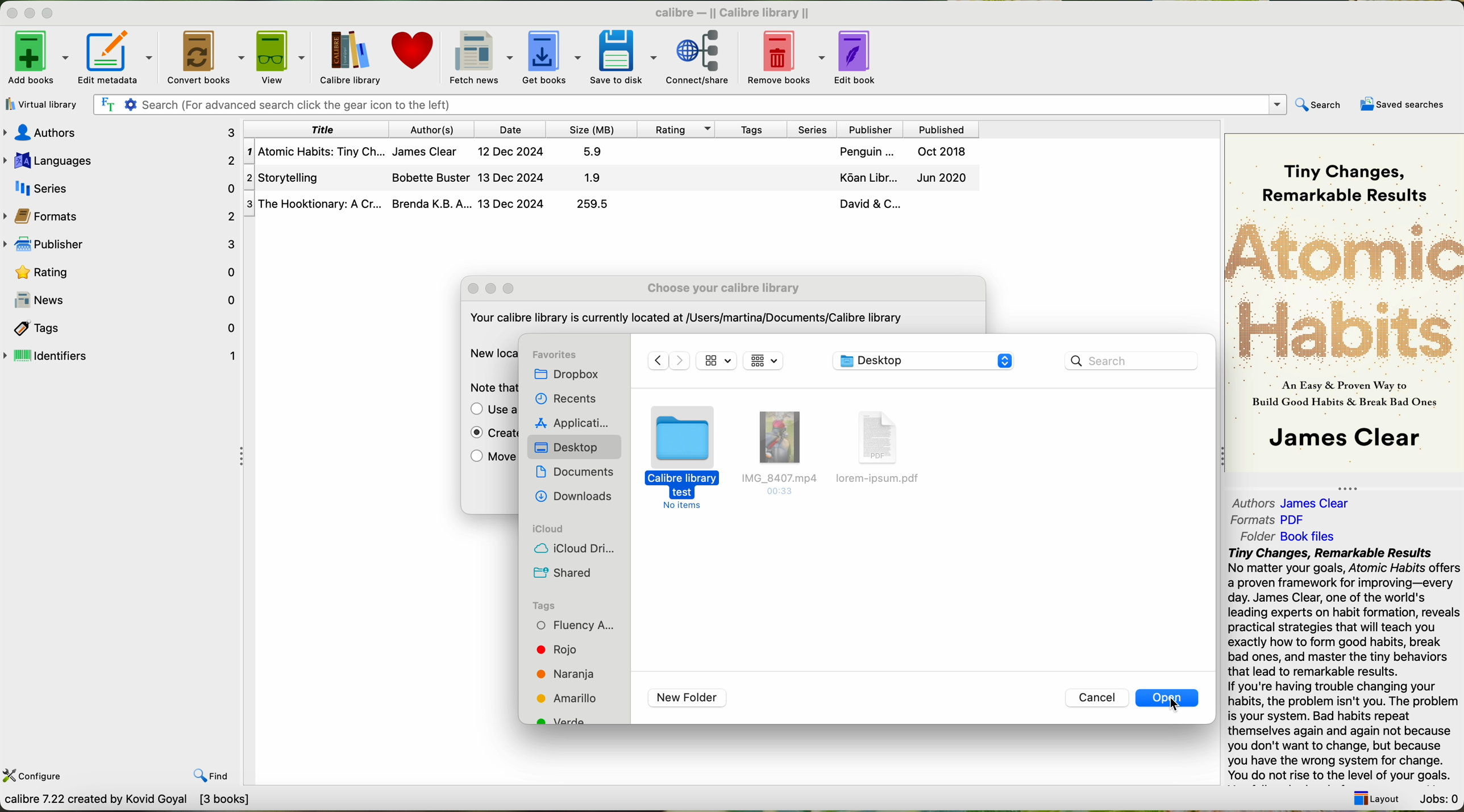  What do you see at coordinates (705, 56) in the screenshot?
I see `connect/share` at bounding box center [705, 56].